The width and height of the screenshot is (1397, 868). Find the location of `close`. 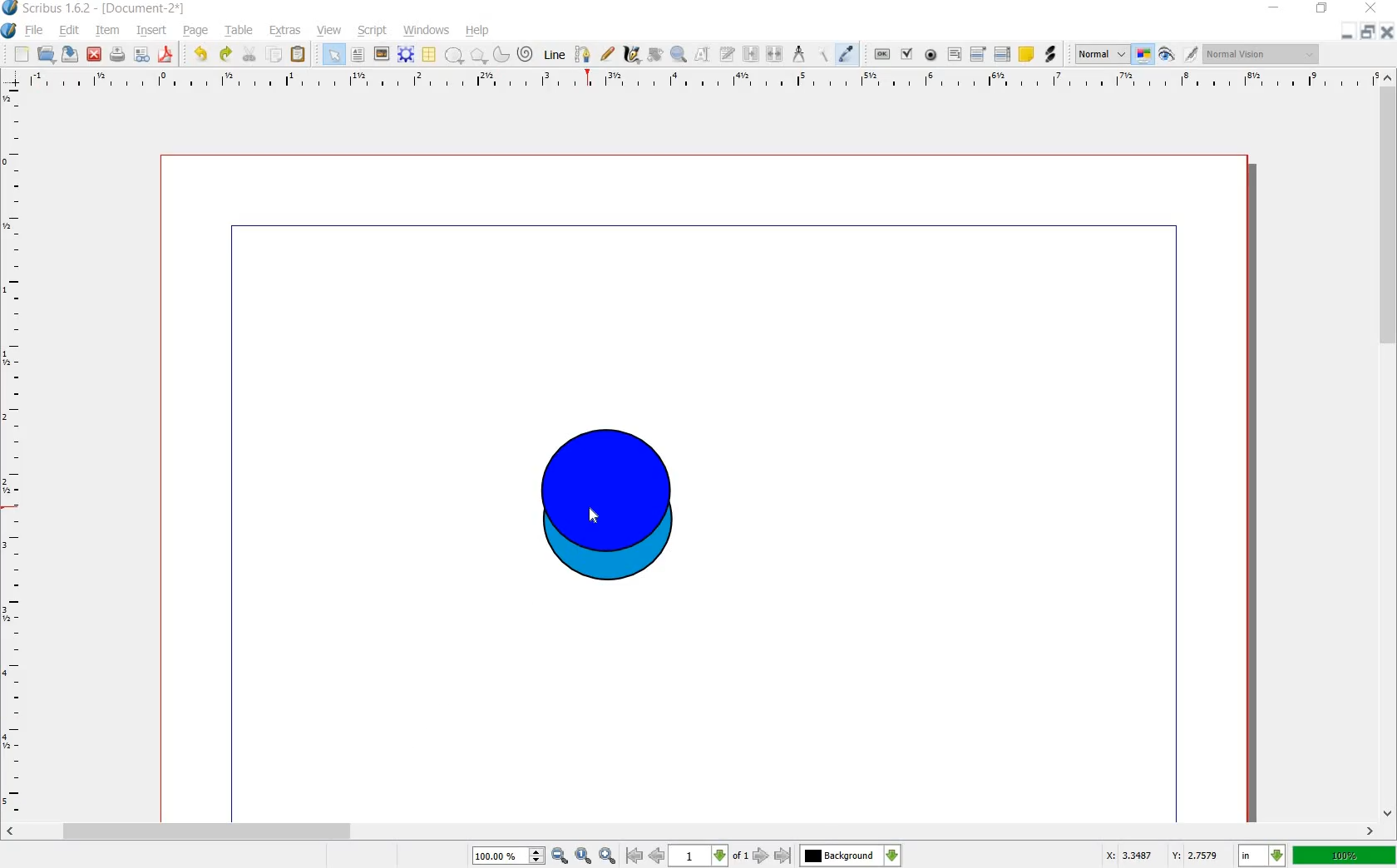

close is located at coordinates (1374, 8).